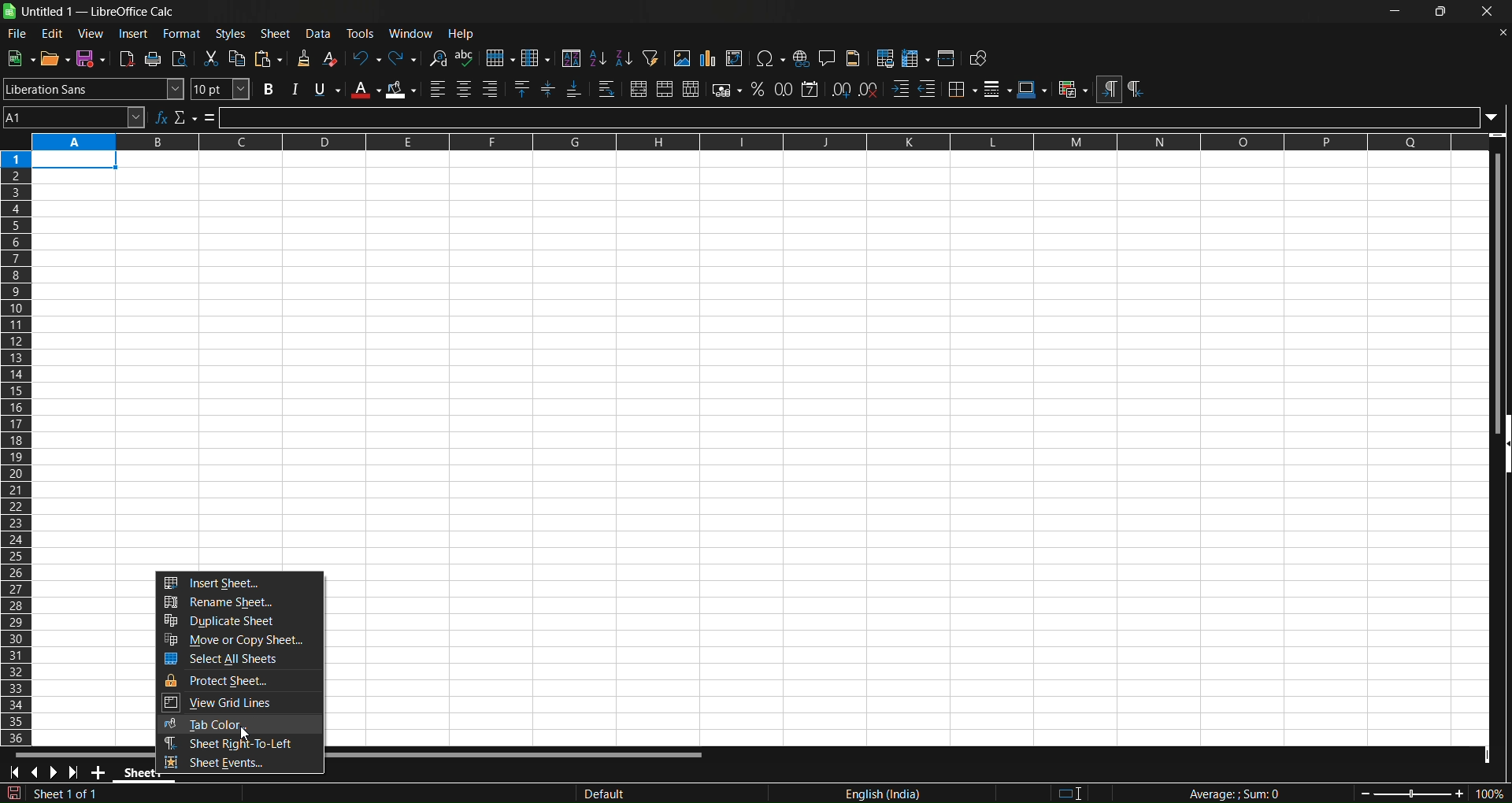 This screenshot has width=1512, height=803. Describe the element at coordinates (185, 117) in the screenshot. I see `select function` at that location.